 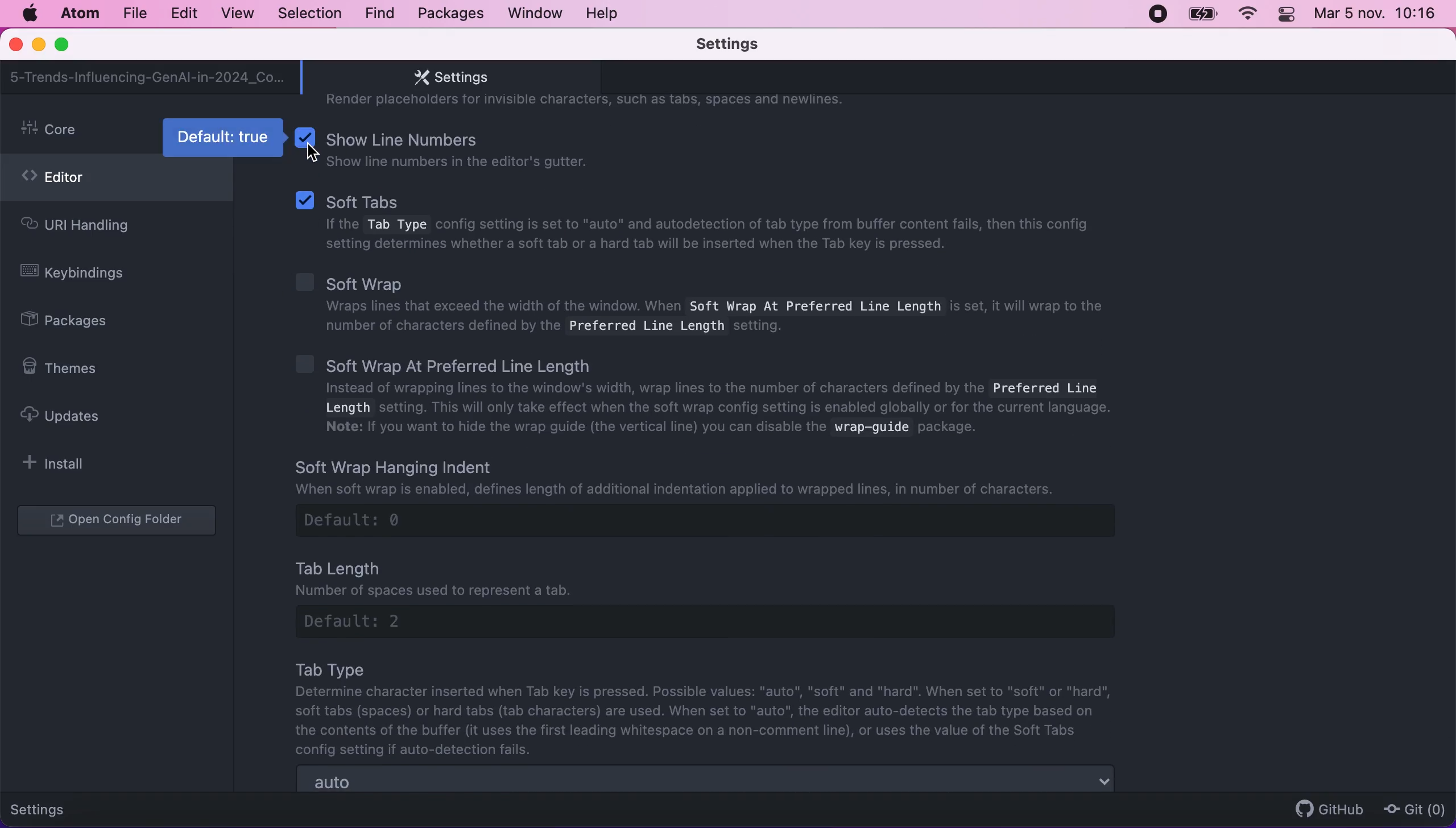 I want to click on Git (0), so click(x=1411, y=809).